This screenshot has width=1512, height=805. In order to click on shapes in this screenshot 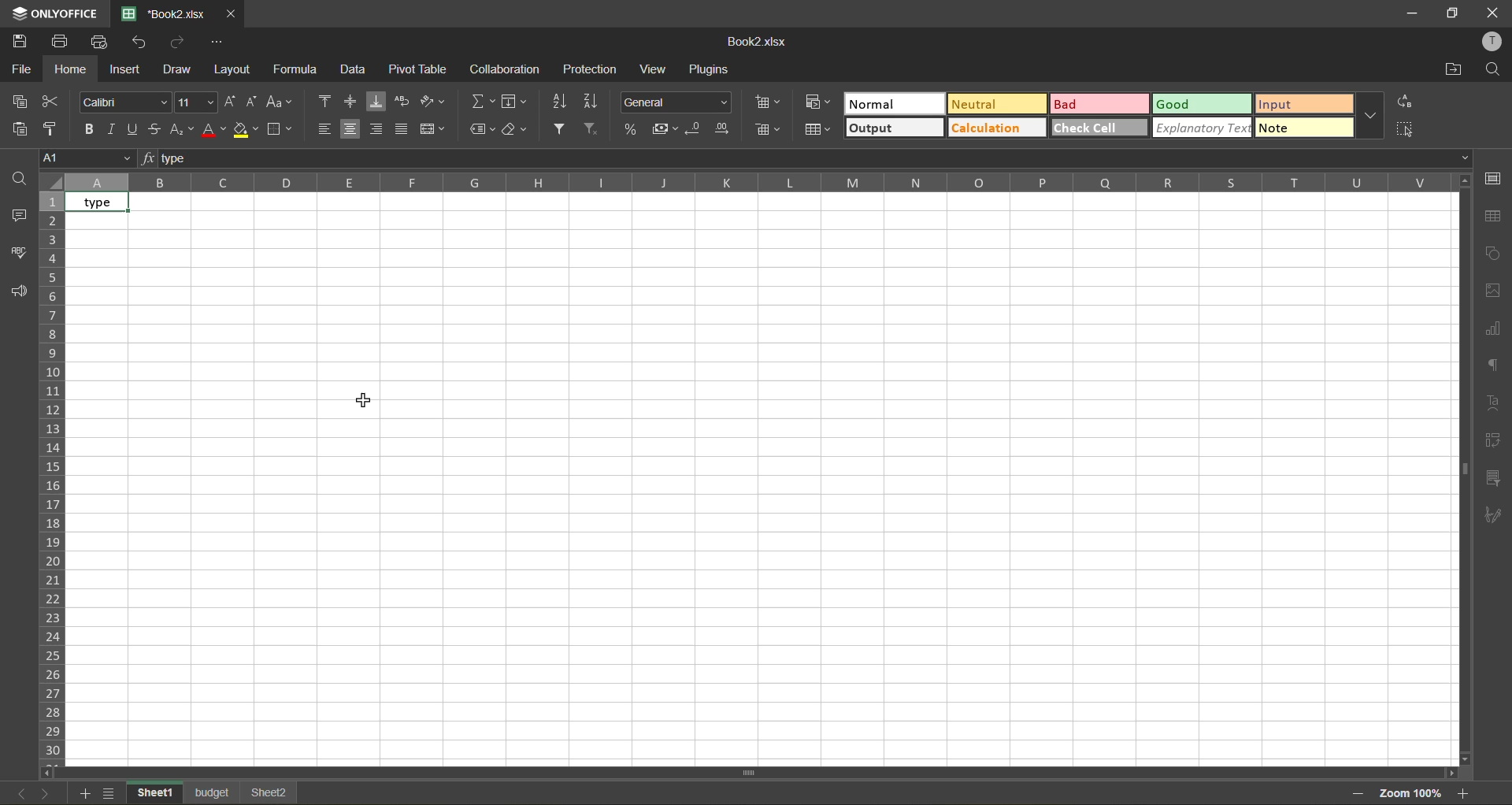, I will do `click(1497, 250)`.